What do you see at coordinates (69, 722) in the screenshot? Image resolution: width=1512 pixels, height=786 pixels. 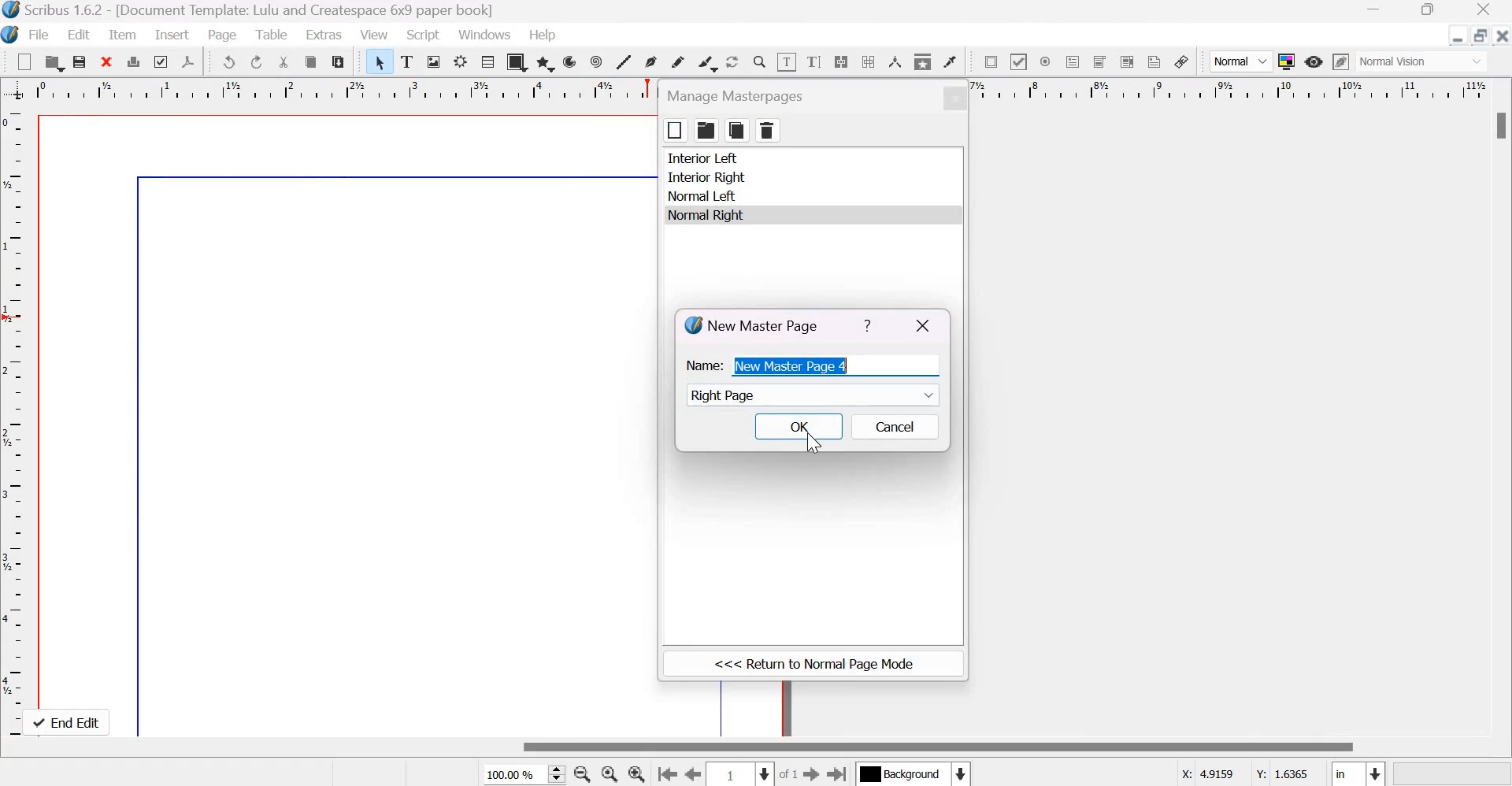 I see `end edit` at bounding box center [69, 722].